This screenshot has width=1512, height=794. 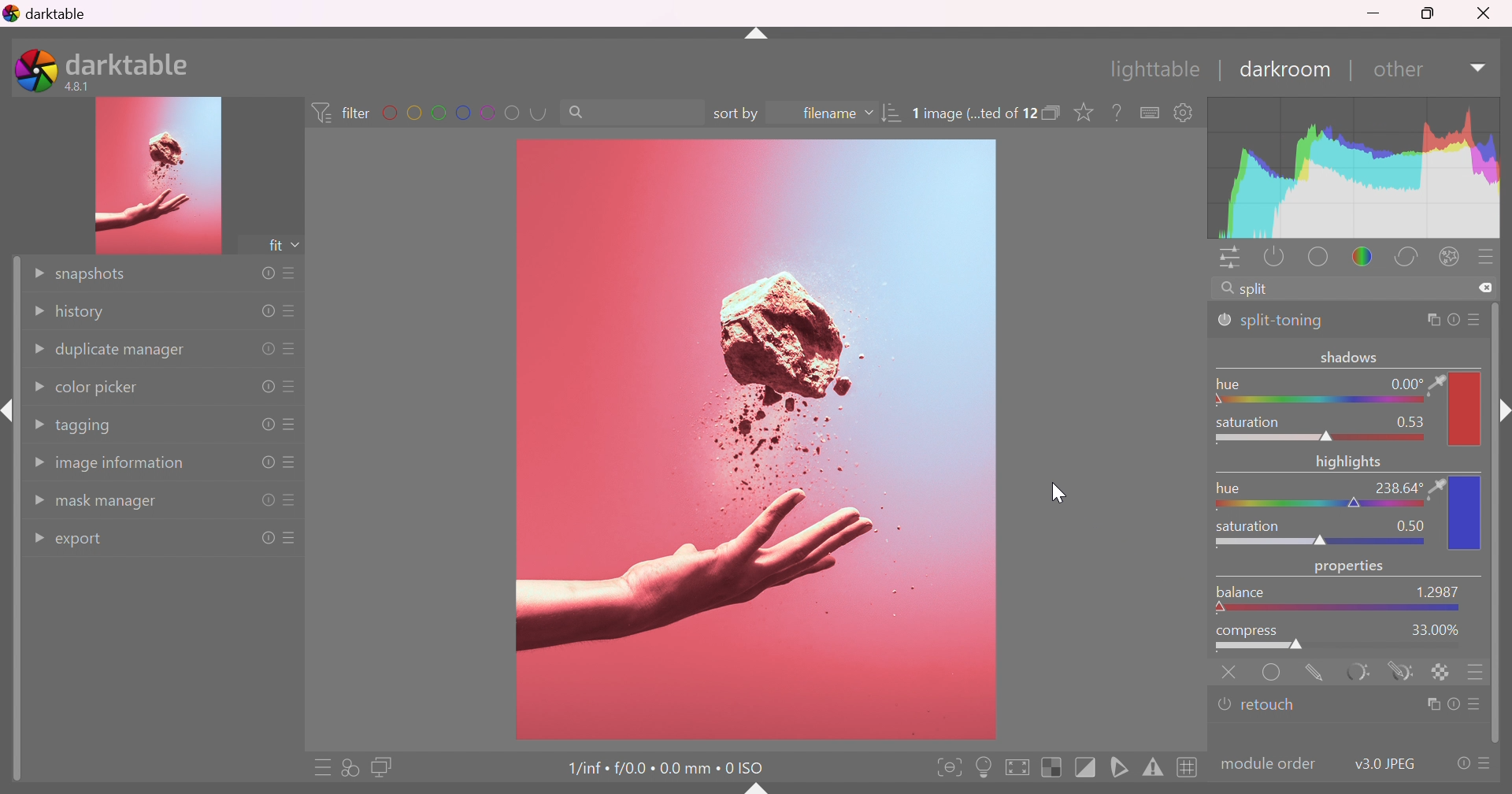 What do you see at coordinates (465, 113) in the screenshot?
I see `filter by images color label` at bounding box center [465, 113].